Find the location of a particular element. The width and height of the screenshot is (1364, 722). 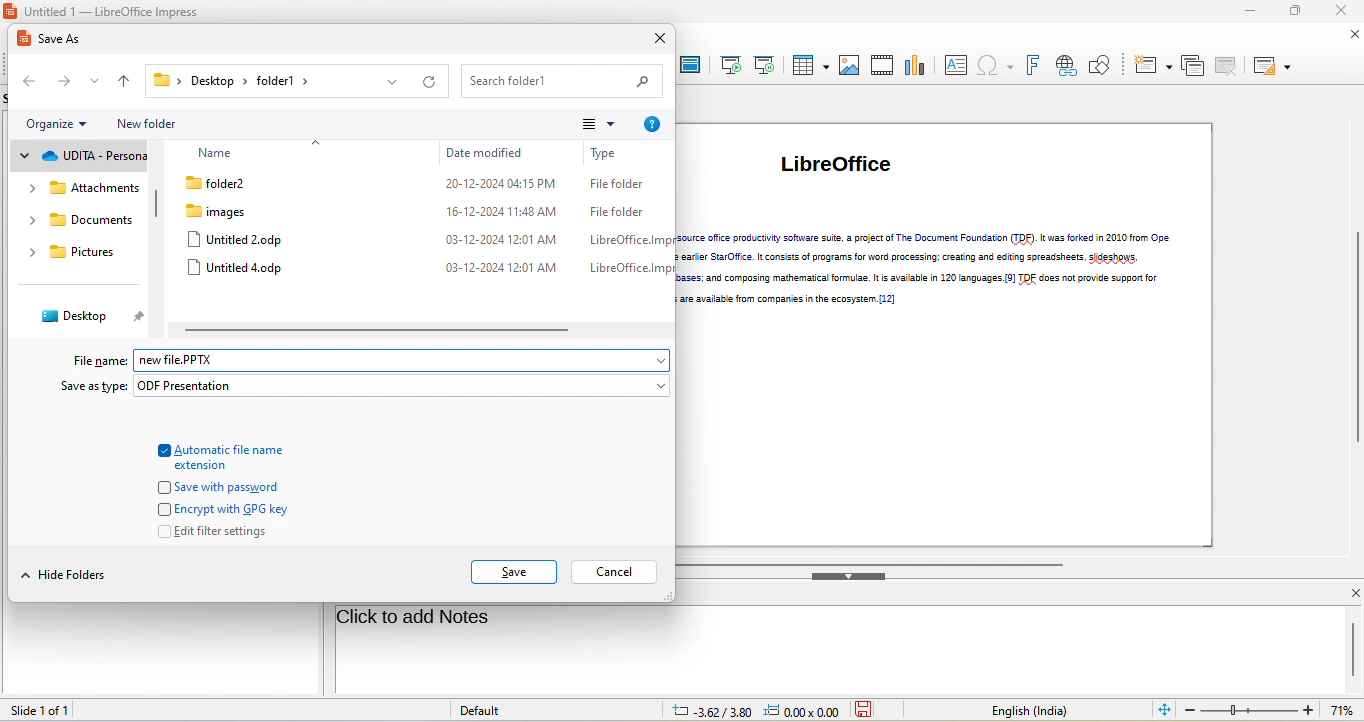

hide folders is located at coordinates (66, 575).